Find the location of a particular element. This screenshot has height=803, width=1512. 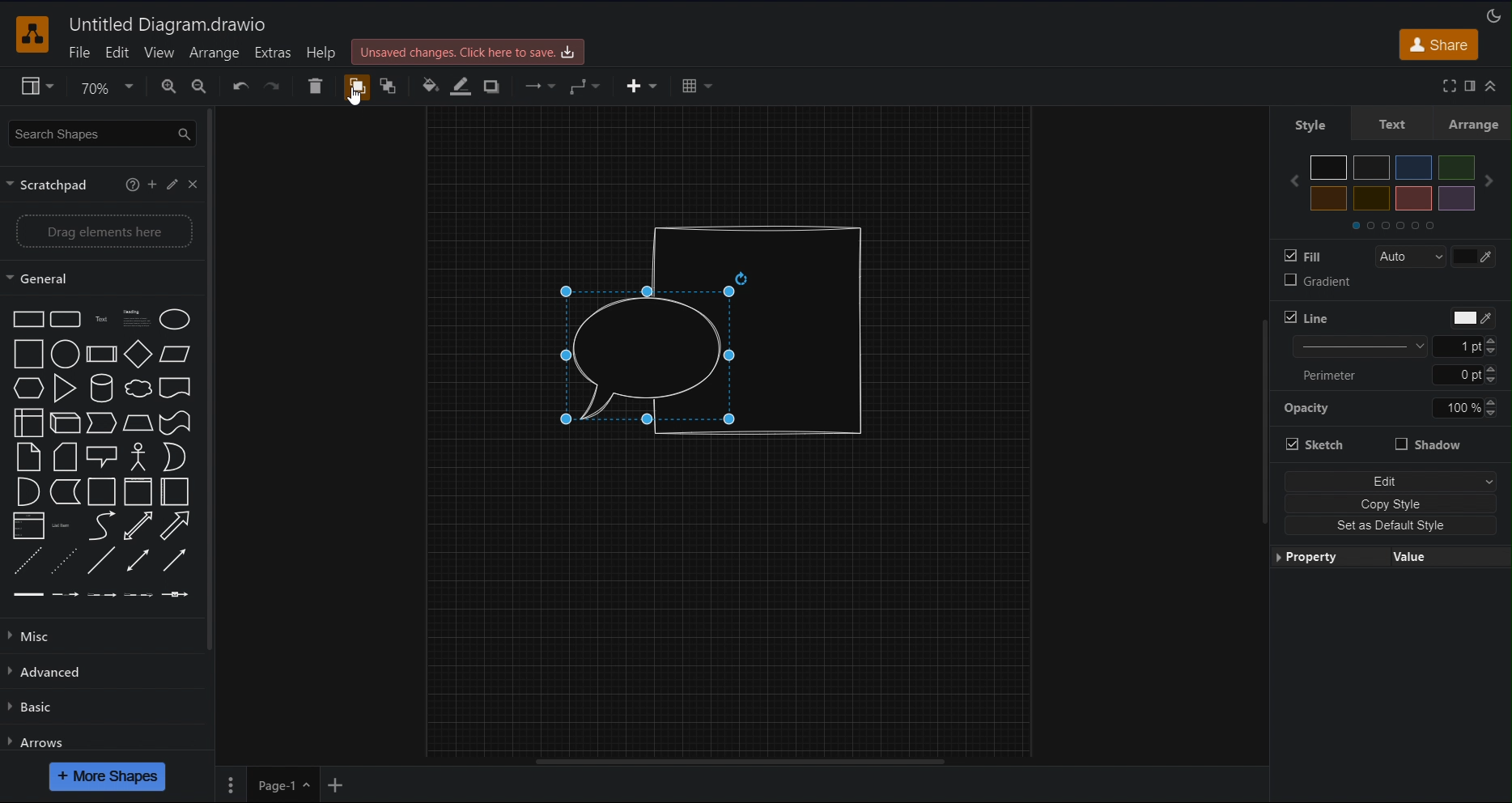

Shadow is located at coordinates (493, 86).